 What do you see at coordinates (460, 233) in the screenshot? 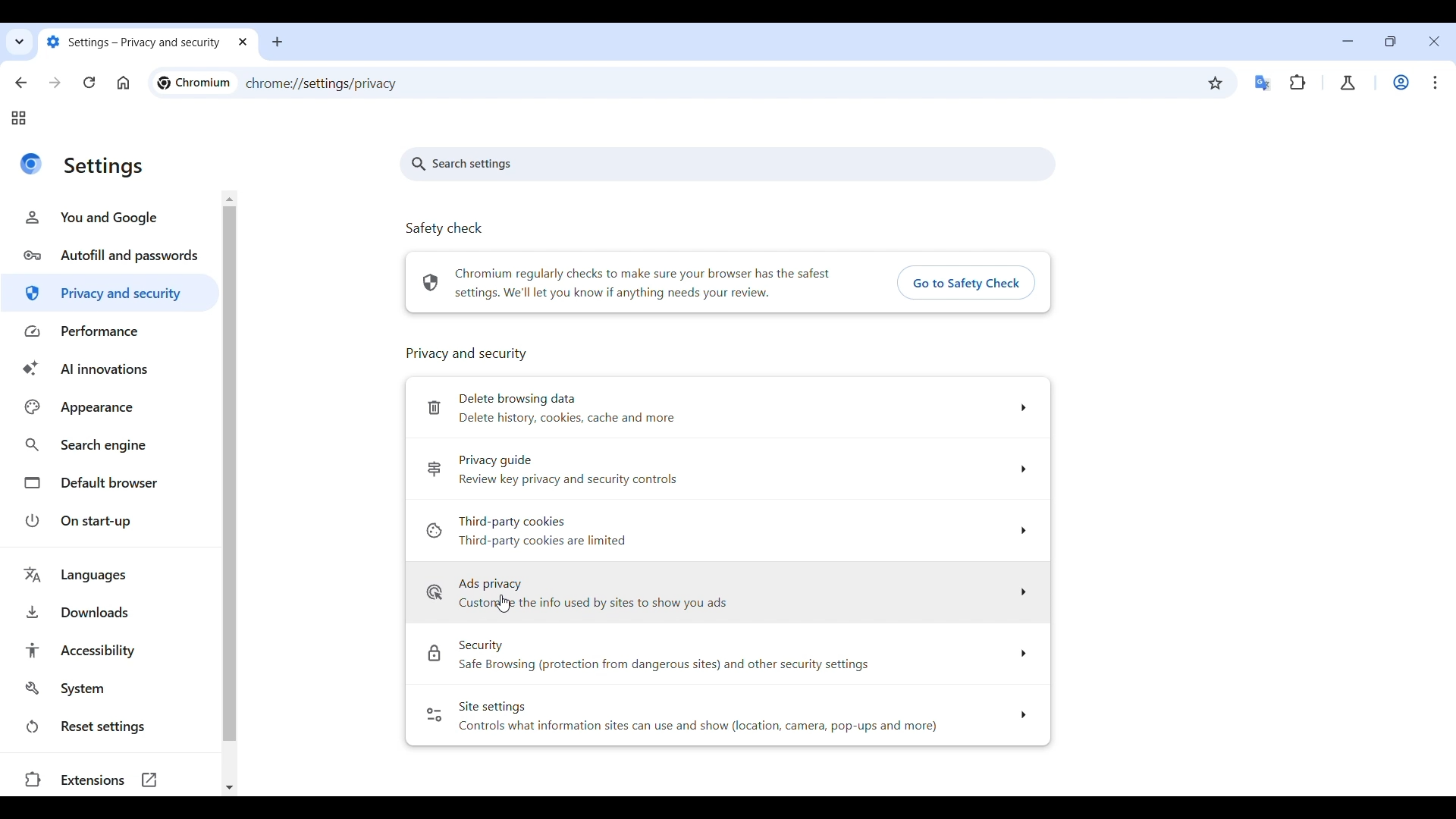
I see `You and google` at bounding box center [460, 233].